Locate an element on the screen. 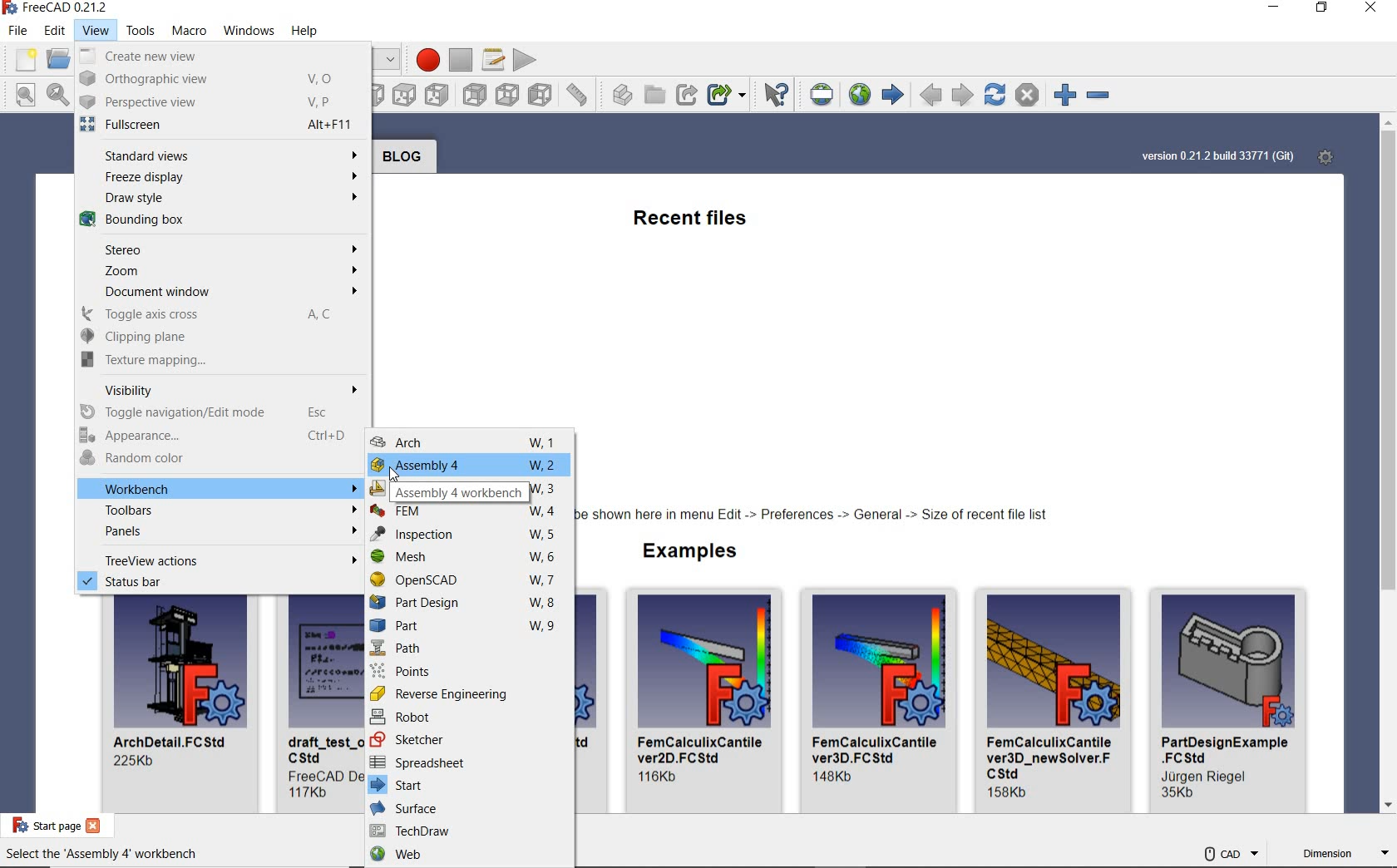  restore down is located at coordinates (1323, 8).